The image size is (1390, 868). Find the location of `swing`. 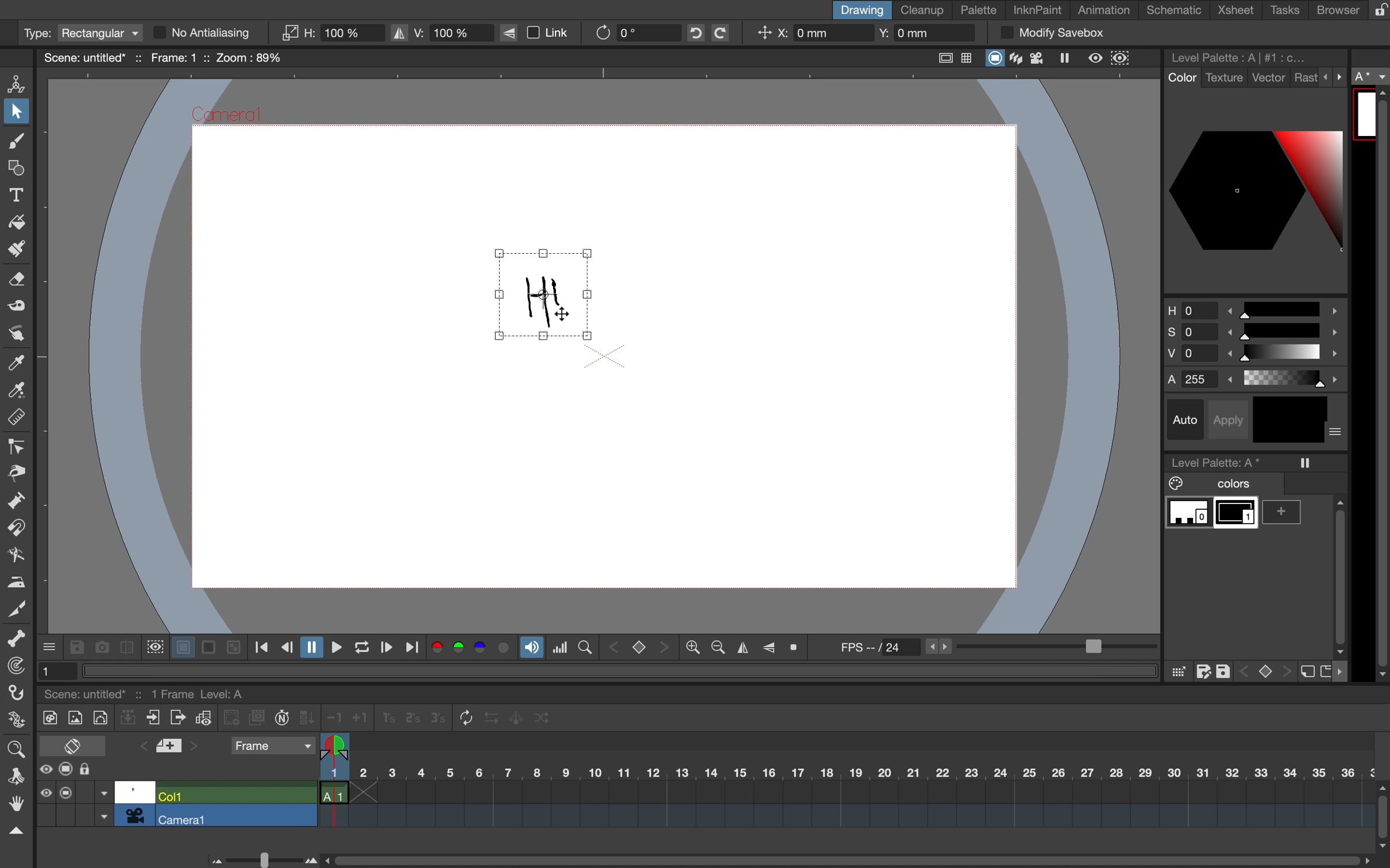

swing is located at coordinates (518, 716).